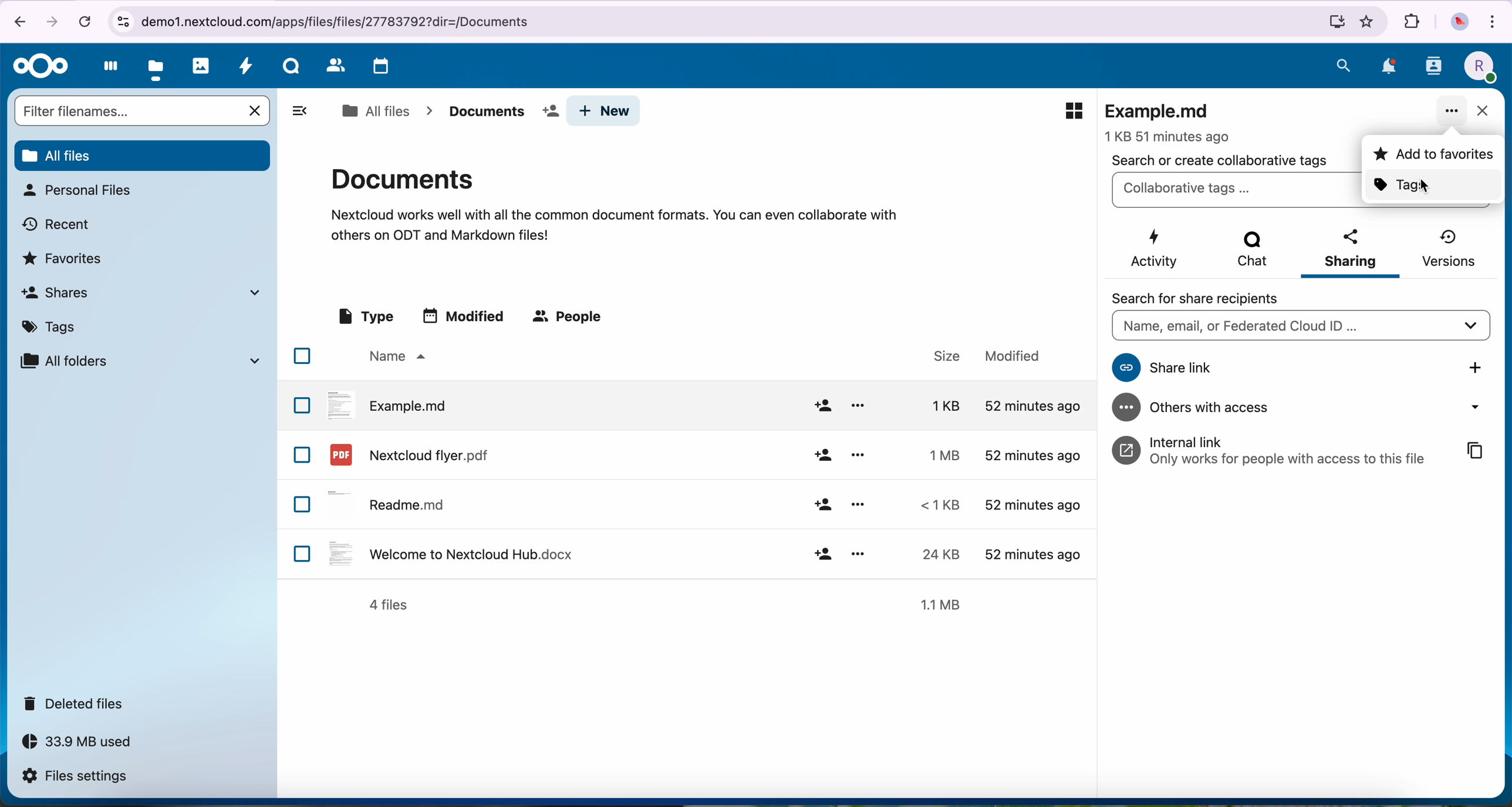  What do you see at coordinates (256, 111) in the screenshot?
I see `cancel` at bounding box center [256, 111].